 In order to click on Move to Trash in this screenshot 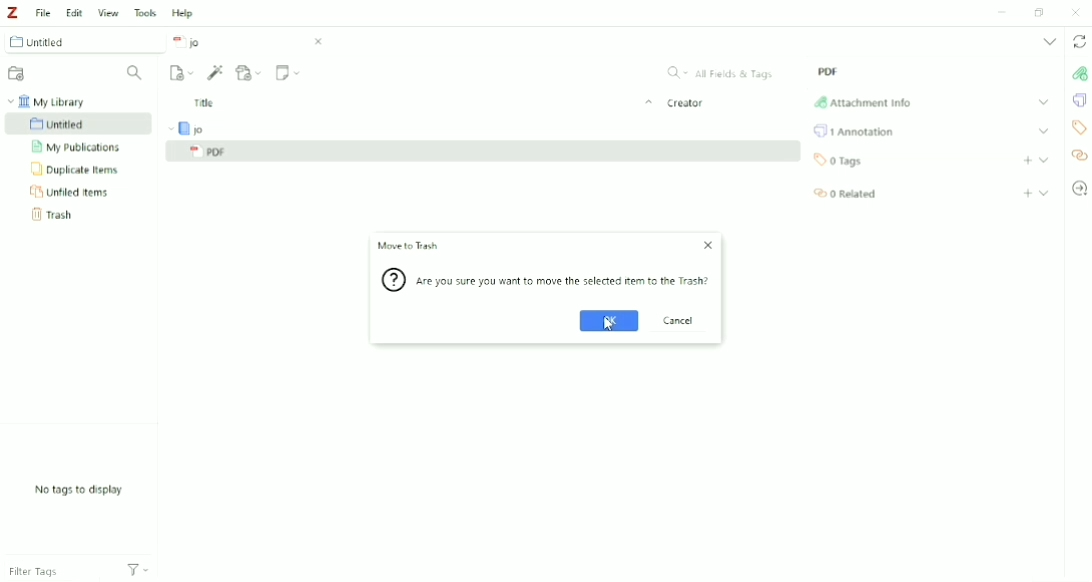, I will do `click(411, 245)`.